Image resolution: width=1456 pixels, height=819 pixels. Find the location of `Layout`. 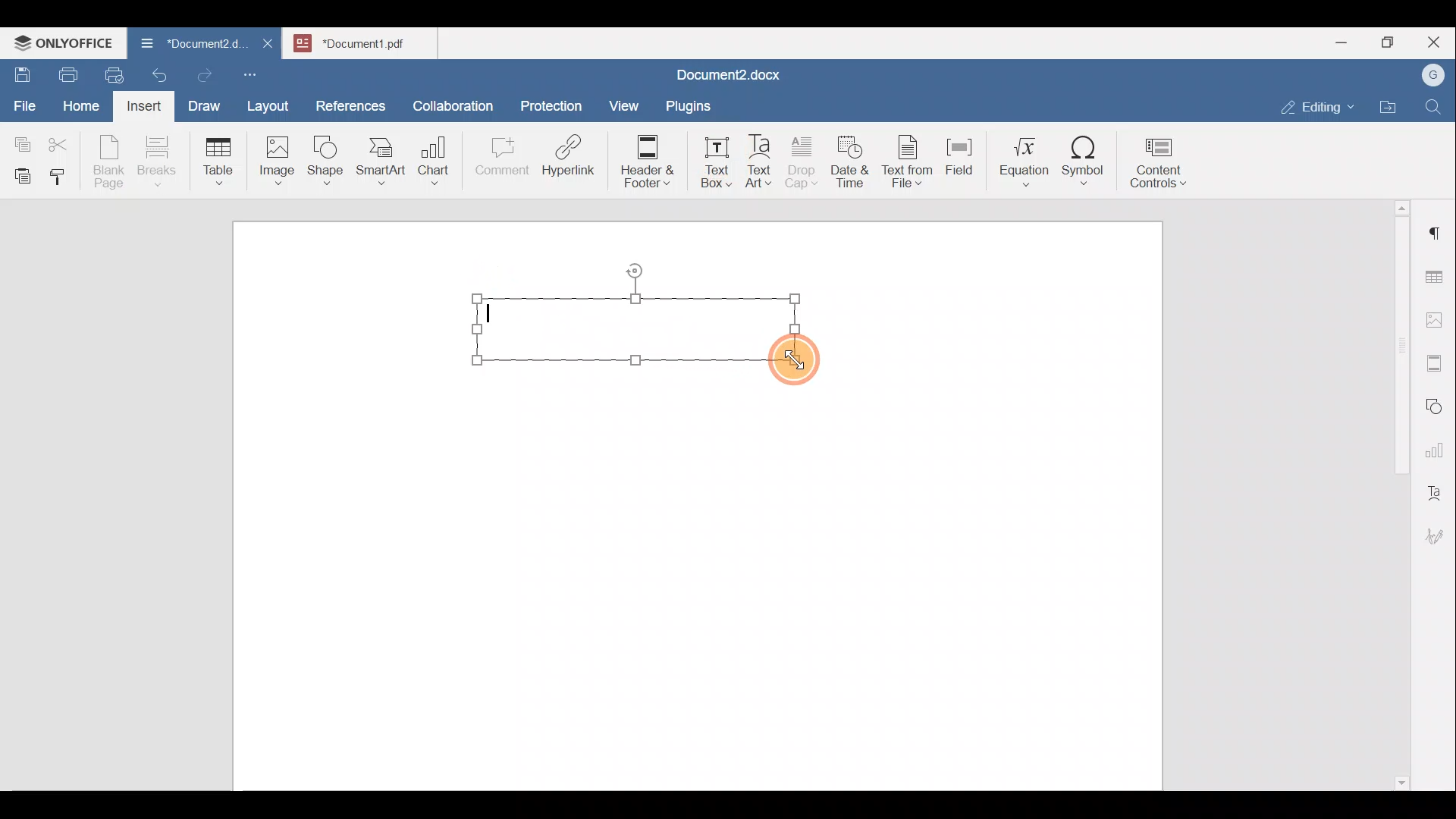

Layout is located at coordinates (271, 103).